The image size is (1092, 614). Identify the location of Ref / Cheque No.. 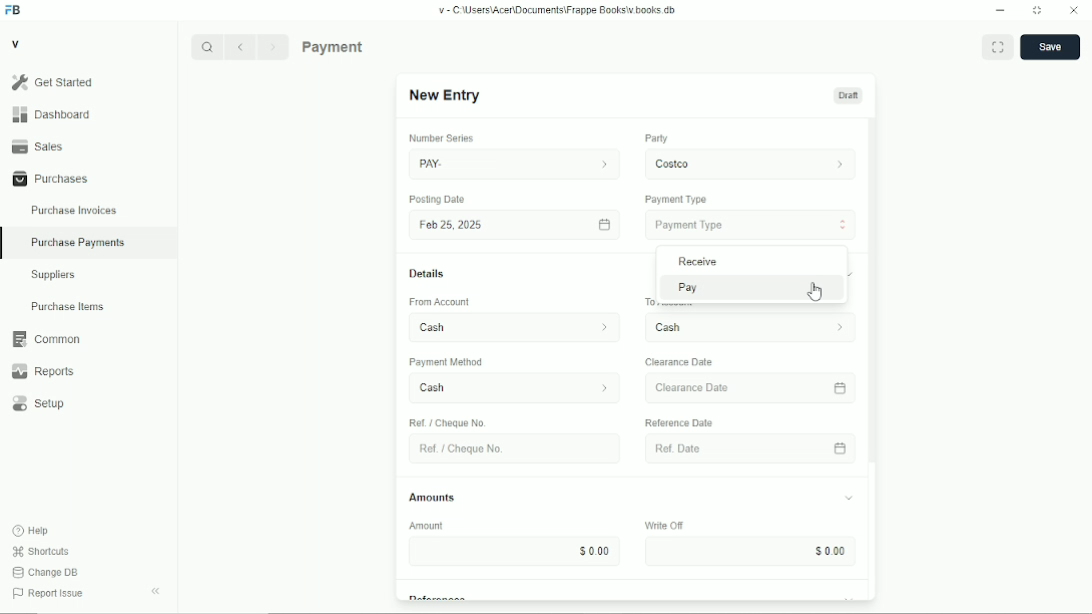
(450, 422).